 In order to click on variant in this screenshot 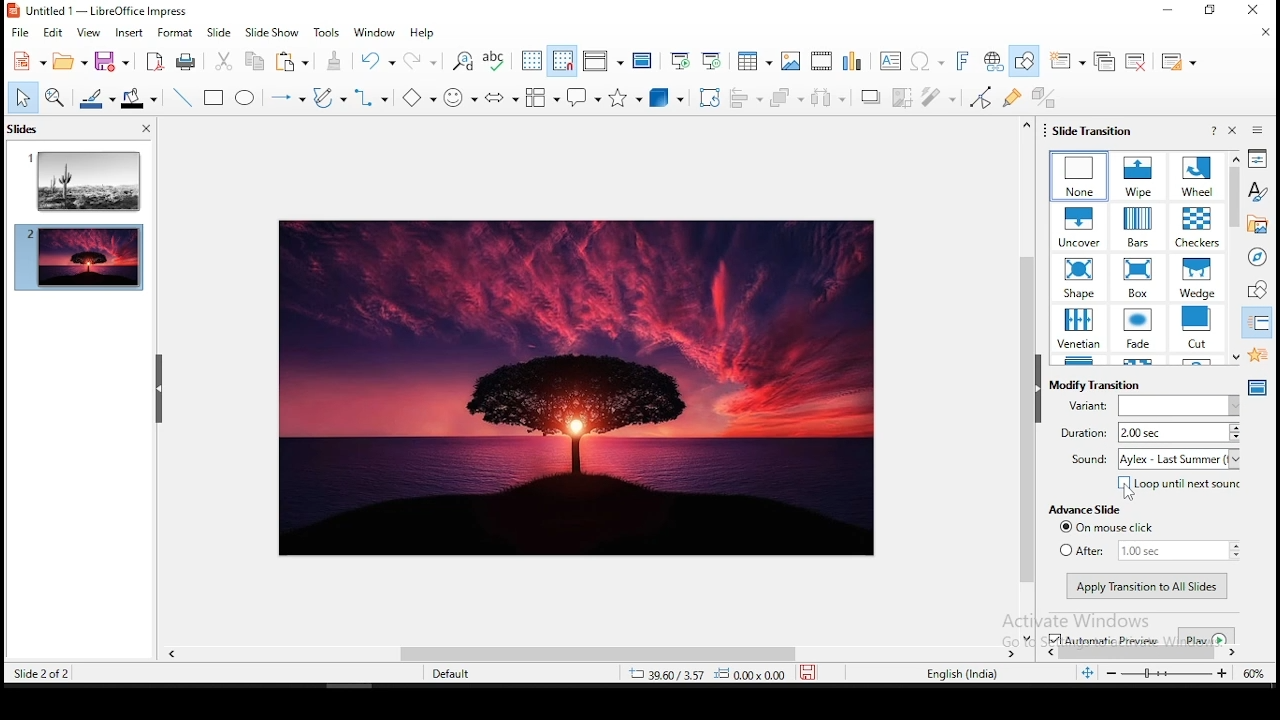, I will do `click(1149, 406)`.